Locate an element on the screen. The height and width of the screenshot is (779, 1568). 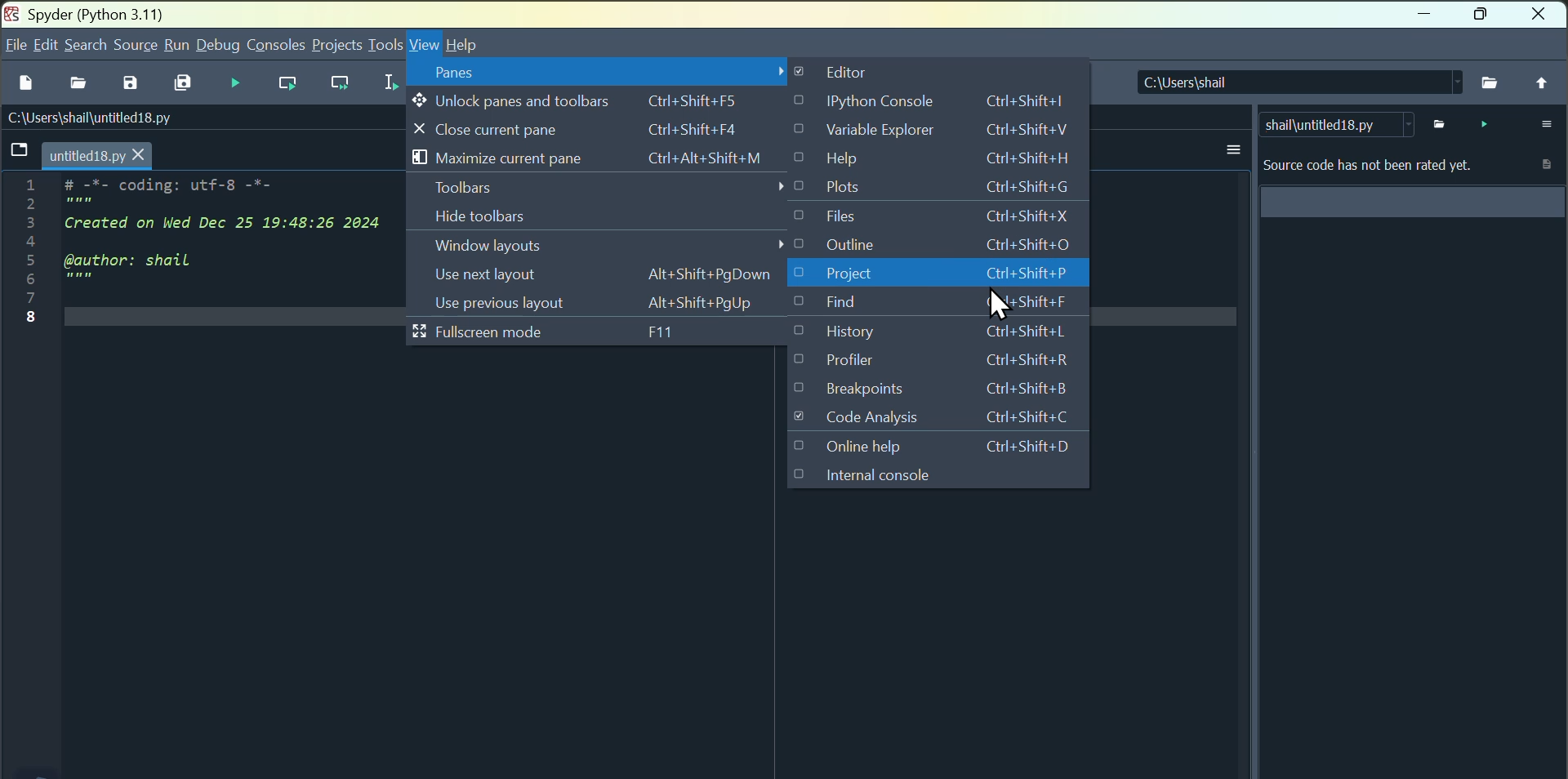
Run Current cell and go to next is located at coordinates (347, 85).